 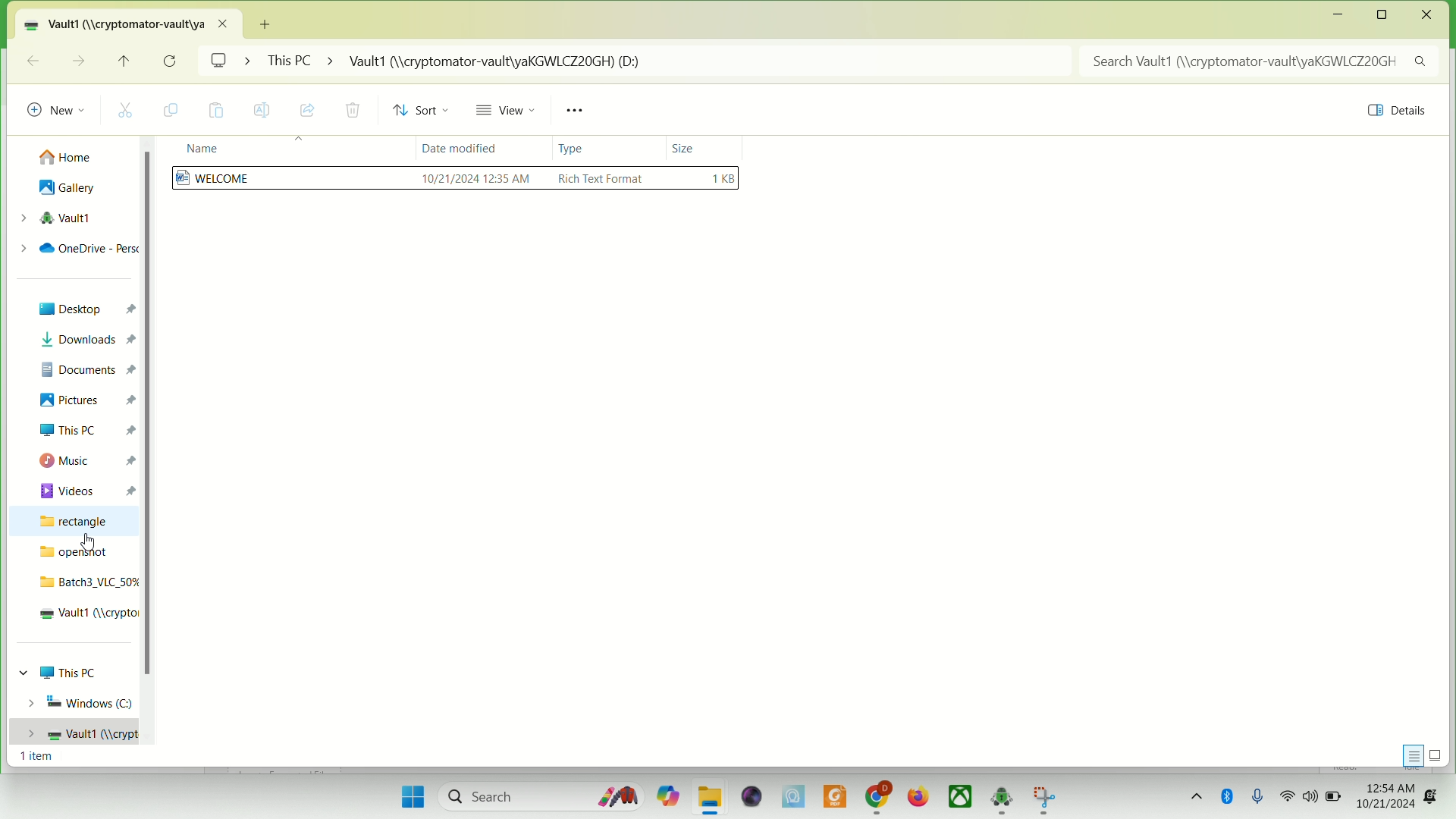 I want to click on vertical scroll bar, so click(x=148, y=451).